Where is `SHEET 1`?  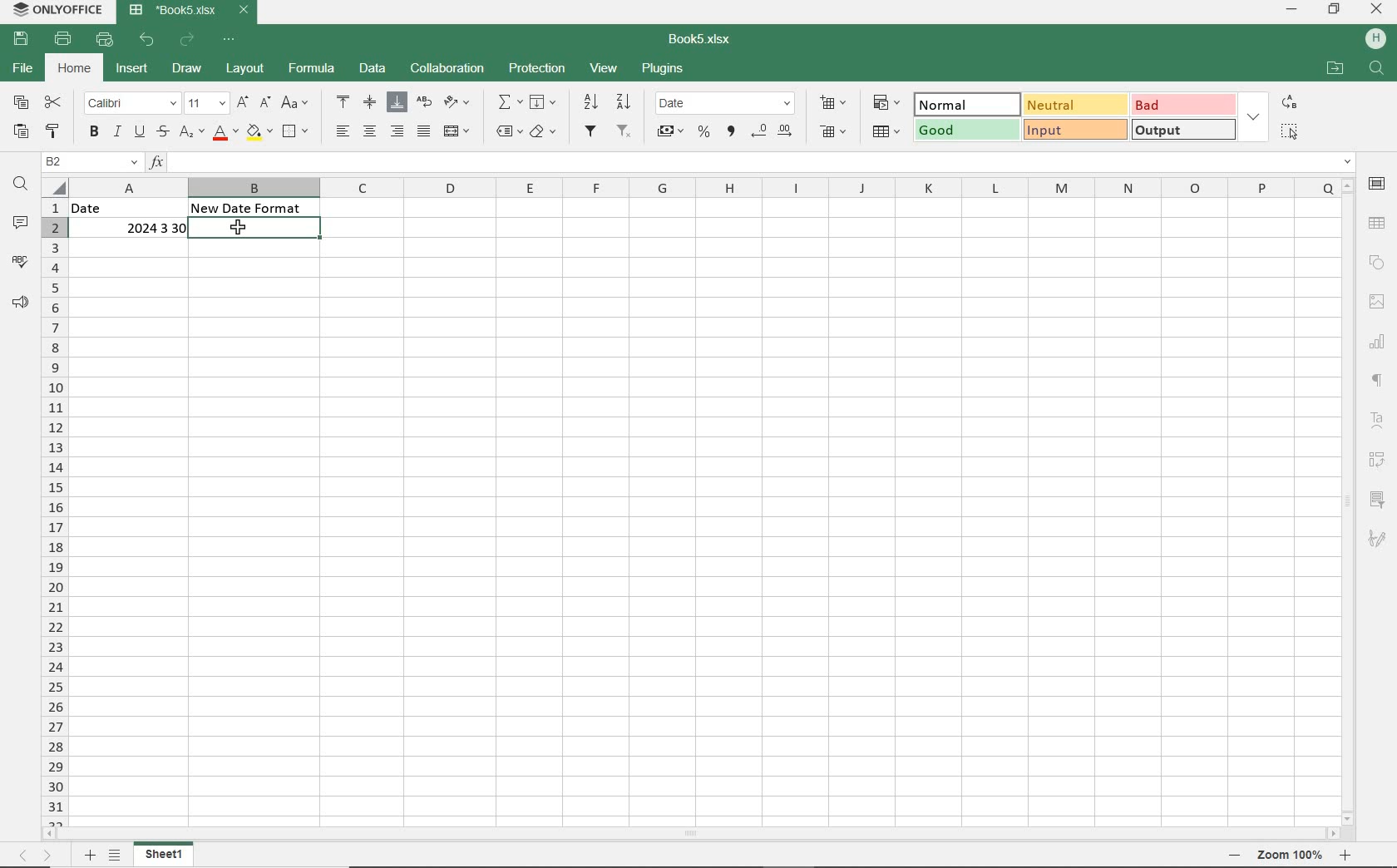 SHEET 1 is located at coordinates (165, 854).